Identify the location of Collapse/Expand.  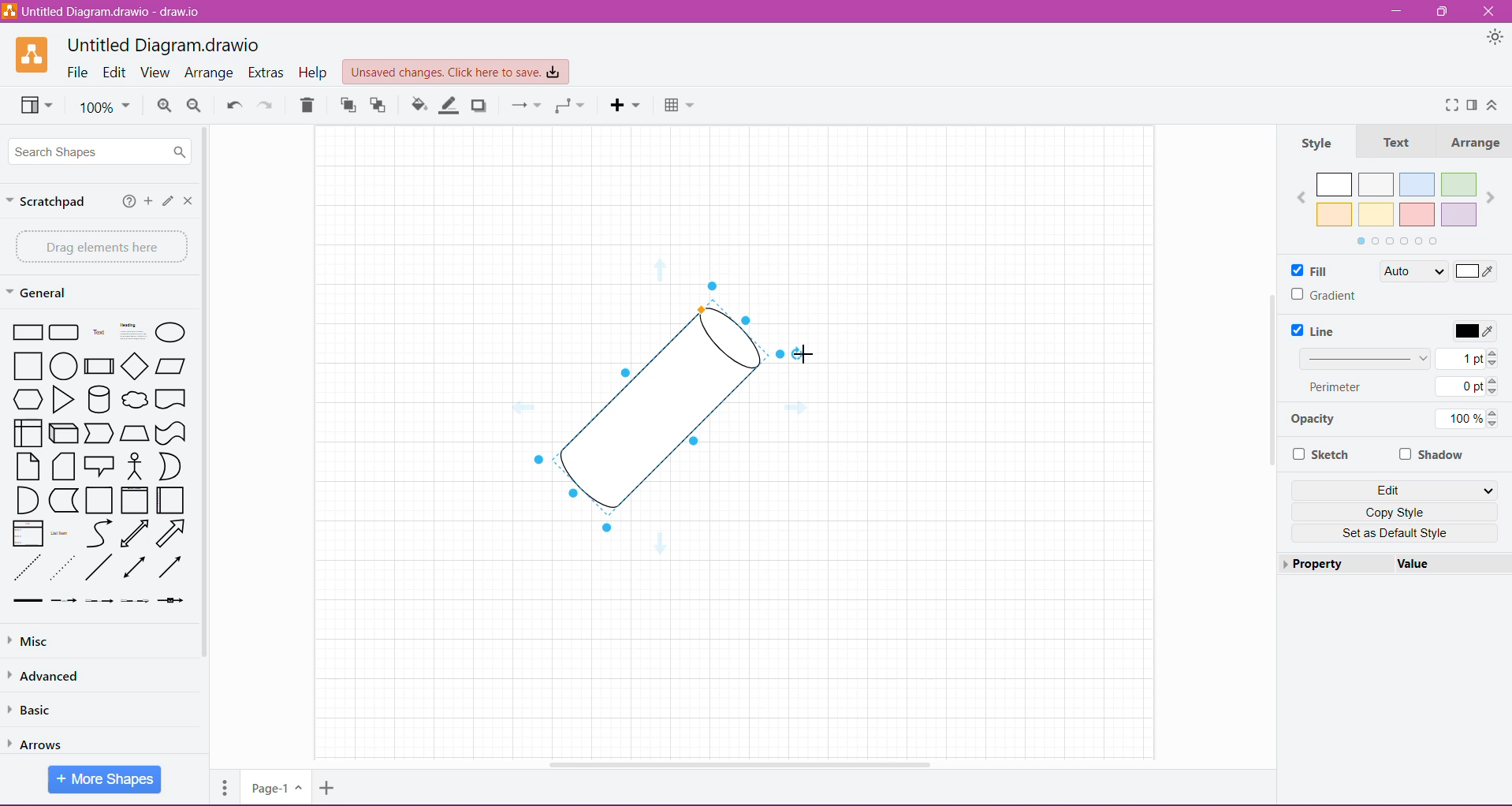
(1493, 105).